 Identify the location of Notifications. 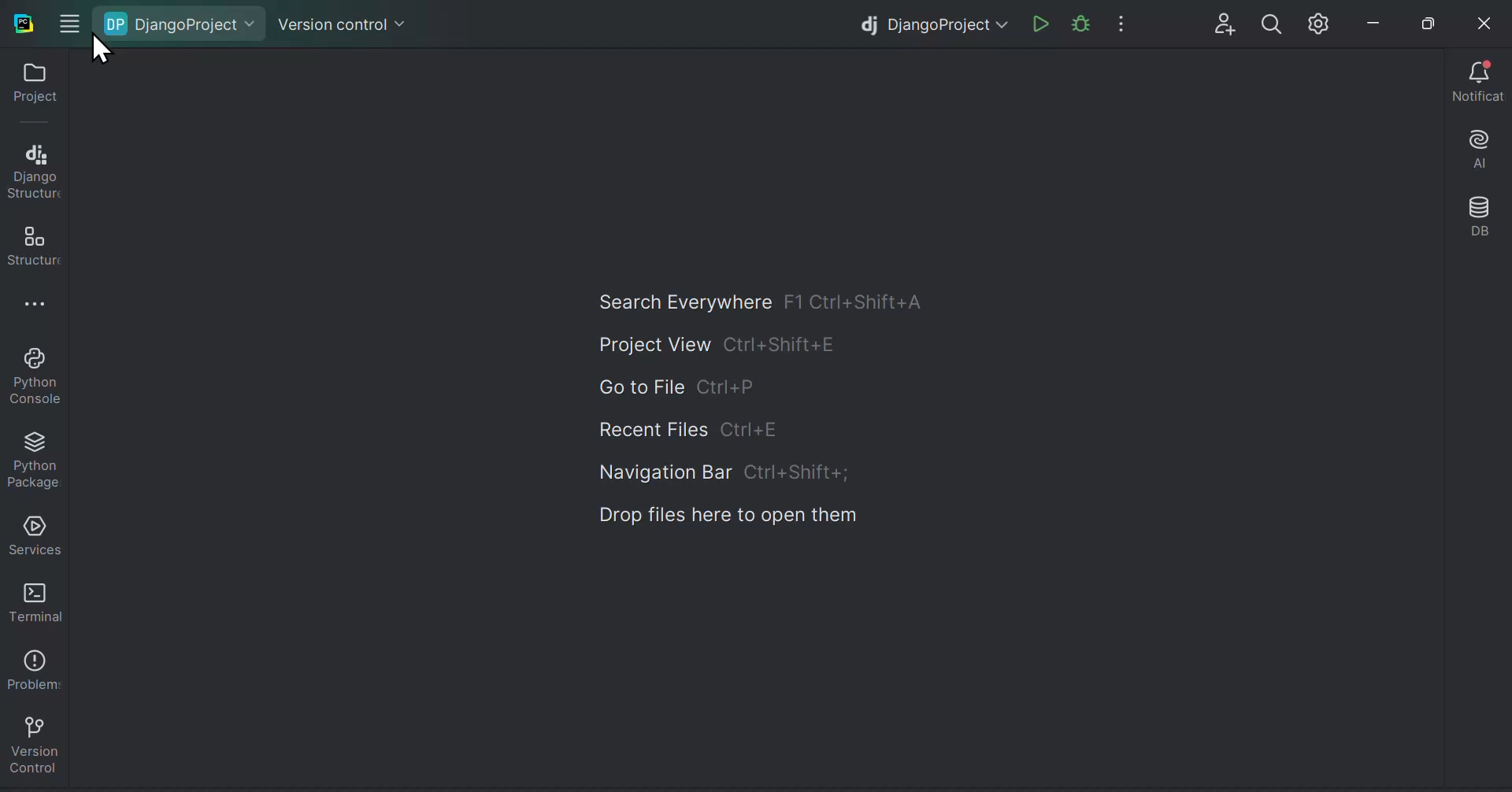
(1478, 78).